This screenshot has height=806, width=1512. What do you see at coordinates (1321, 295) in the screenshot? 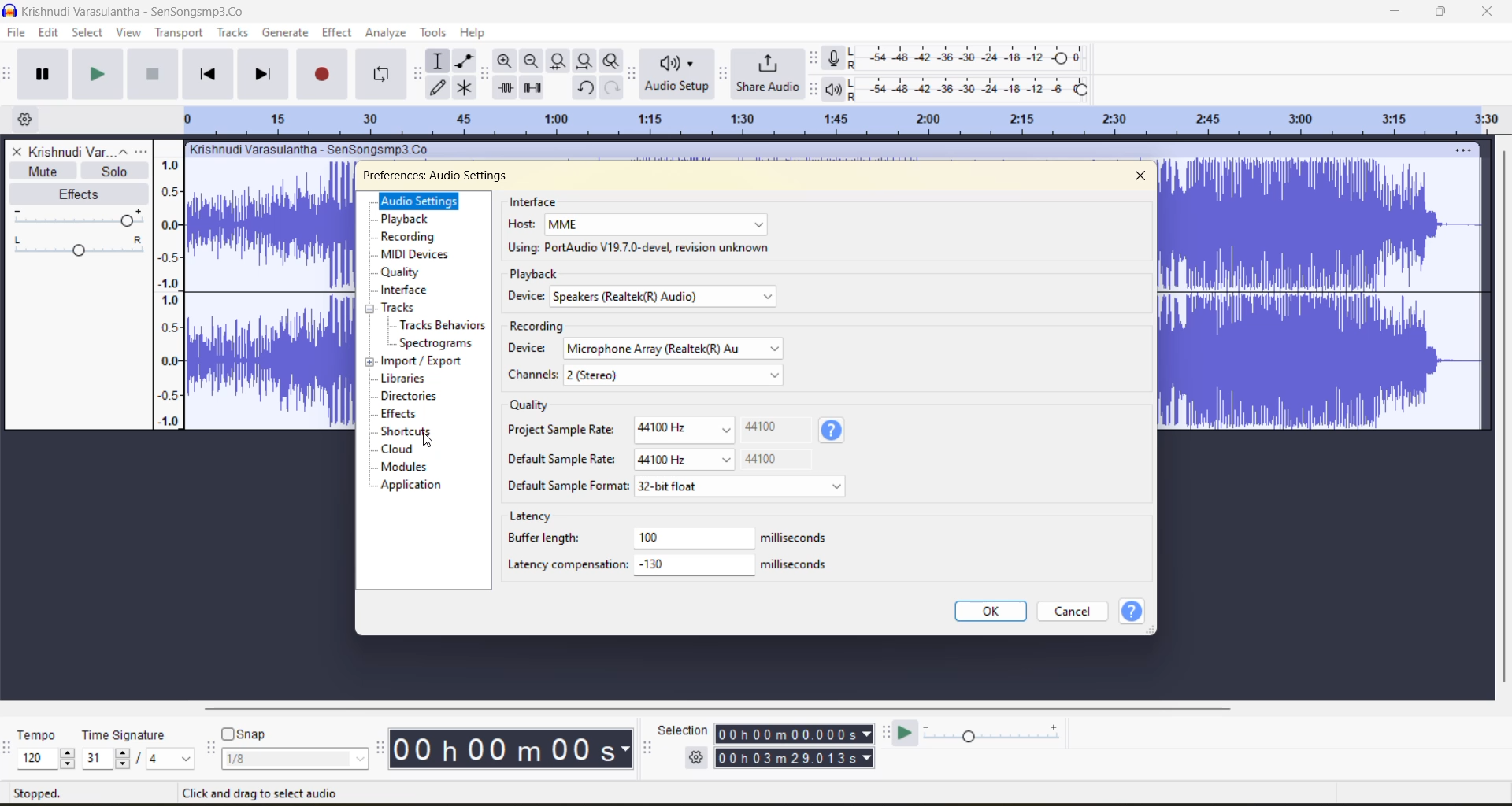
I see `Current track` at bounding box center [1321, 295].